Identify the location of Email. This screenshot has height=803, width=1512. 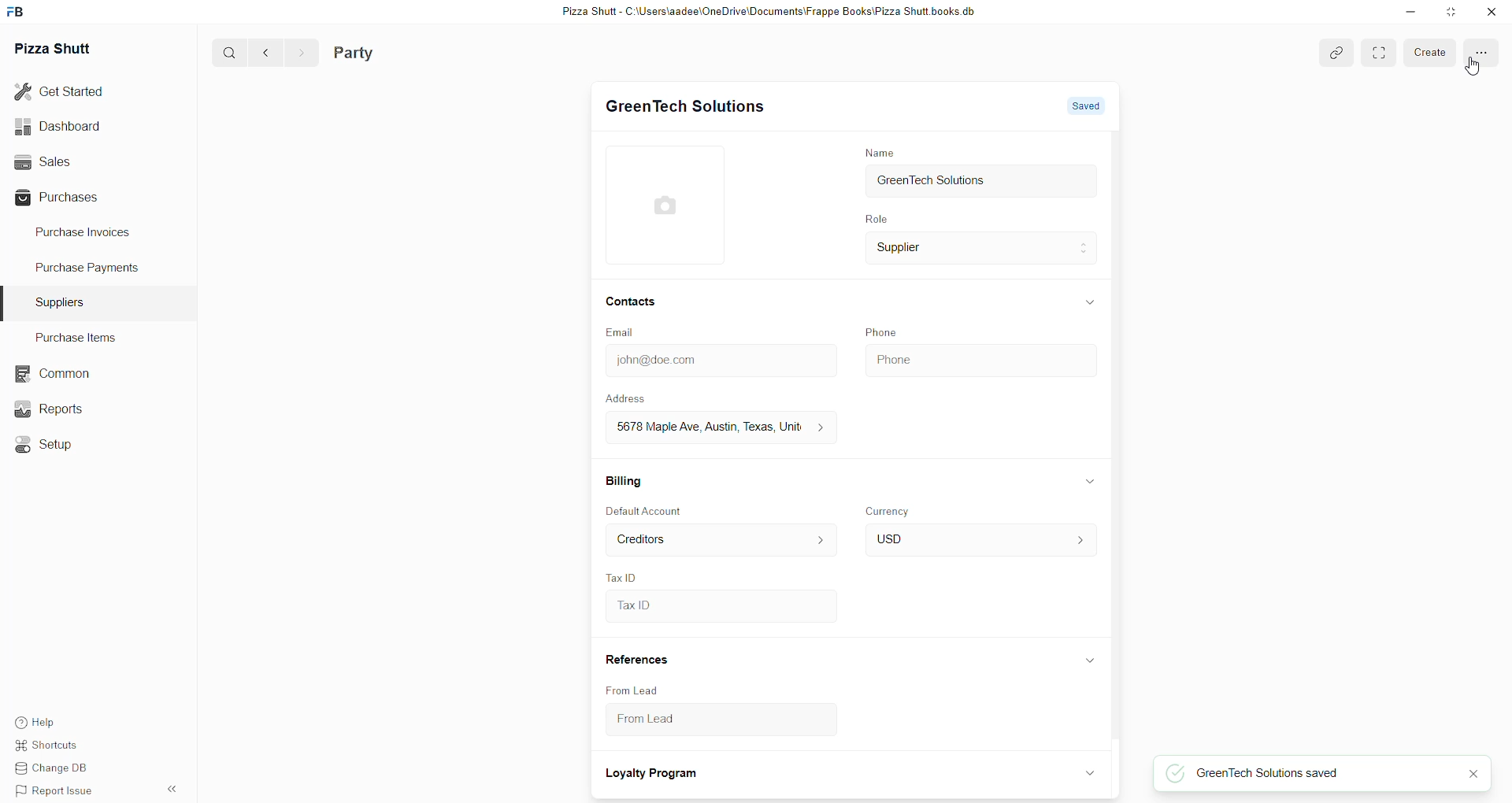
(624, 333).